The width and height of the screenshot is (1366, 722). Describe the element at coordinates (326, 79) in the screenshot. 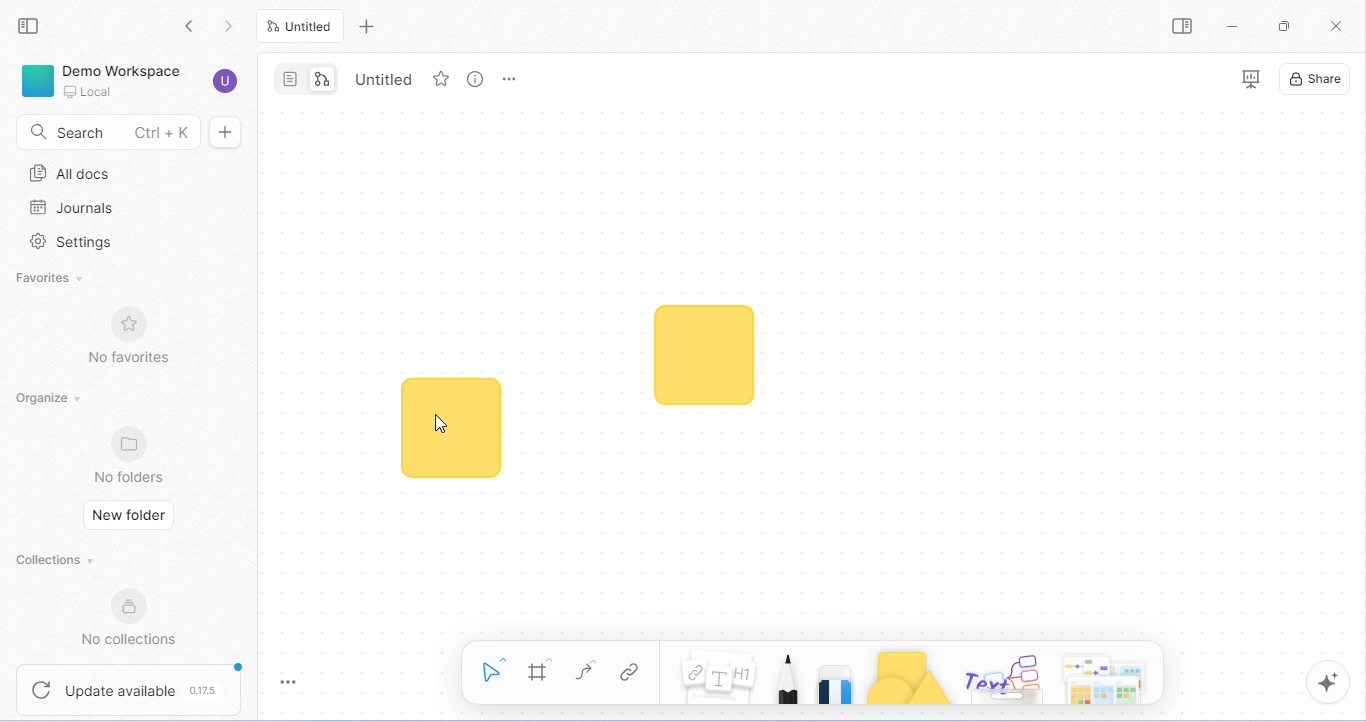

I see `edgeless mode` at that location.